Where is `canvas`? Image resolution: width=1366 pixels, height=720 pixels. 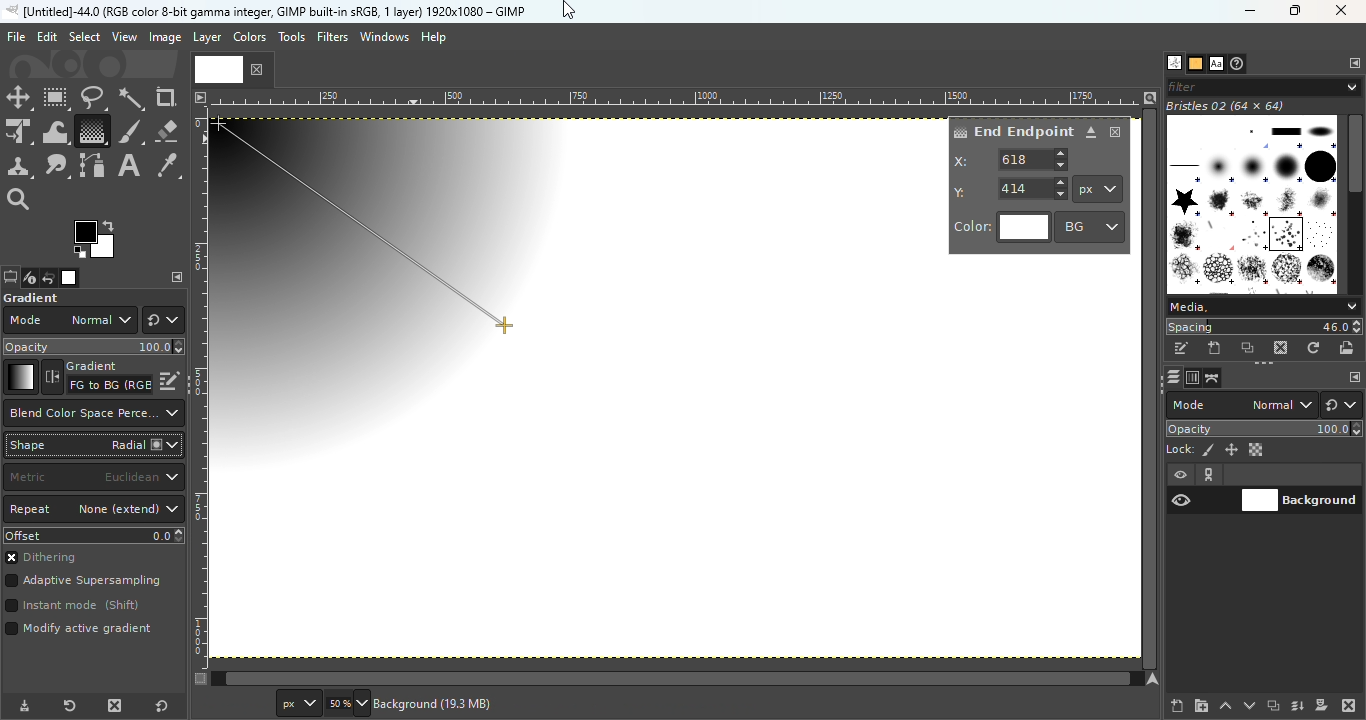
canvas is located at coordinates (499, 340).